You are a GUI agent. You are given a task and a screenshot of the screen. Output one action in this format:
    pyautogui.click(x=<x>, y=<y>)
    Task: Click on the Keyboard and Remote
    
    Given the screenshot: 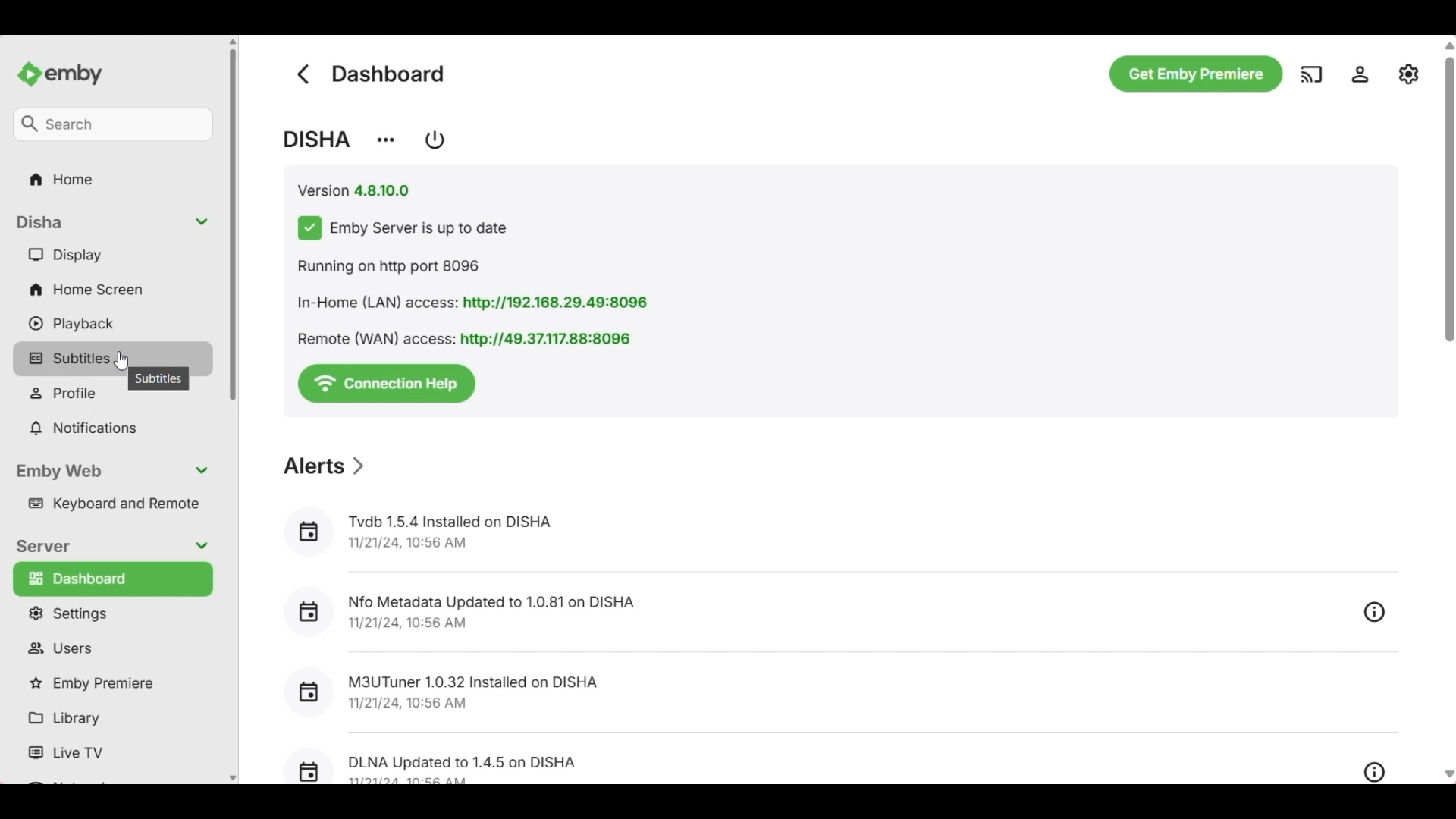 What is the action you would take?
    pyautogui.click(x=117, y=504)
    